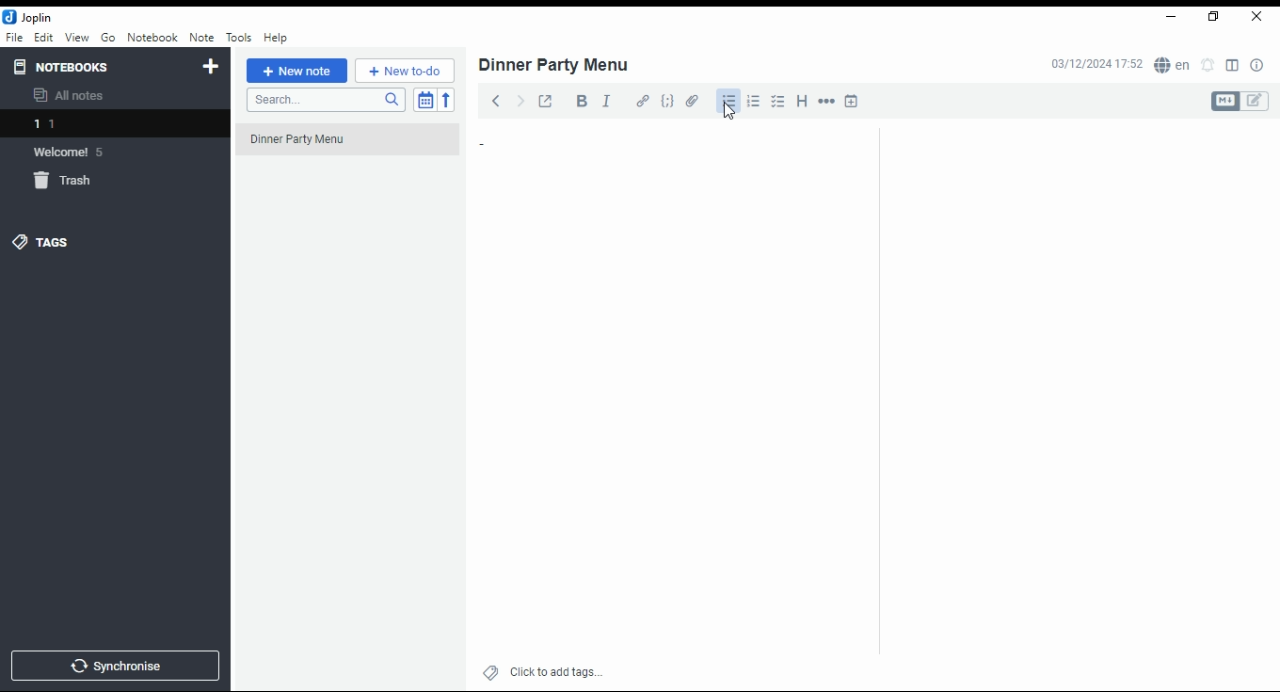  Describe the element at coordinates (74, 96) in the screenshot. I see `all notes` at that location.